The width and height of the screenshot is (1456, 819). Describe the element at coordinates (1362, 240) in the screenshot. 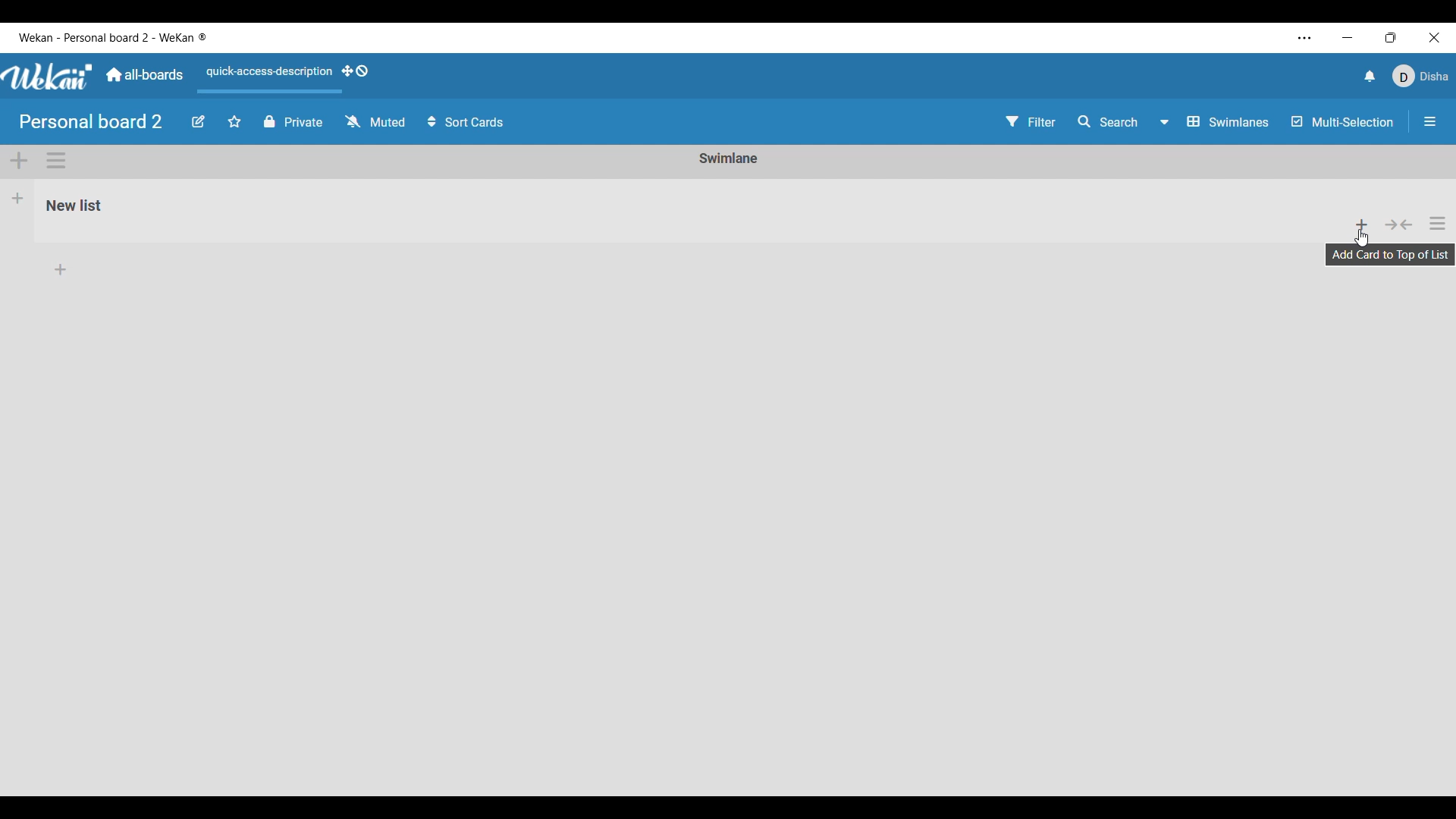

I see `cursor` at that location.